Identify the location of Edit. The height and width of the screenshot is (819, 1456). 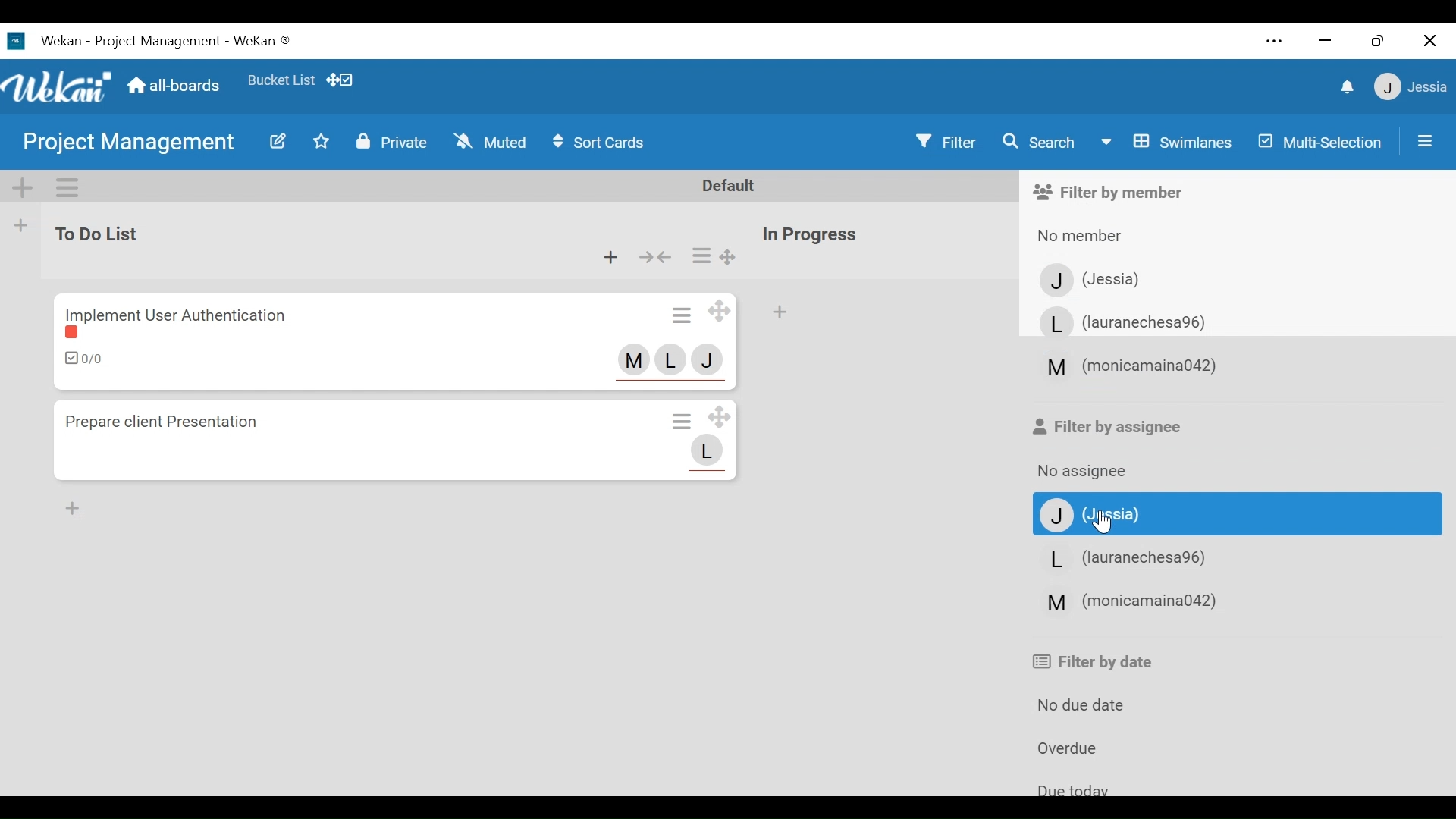
(278, 140).